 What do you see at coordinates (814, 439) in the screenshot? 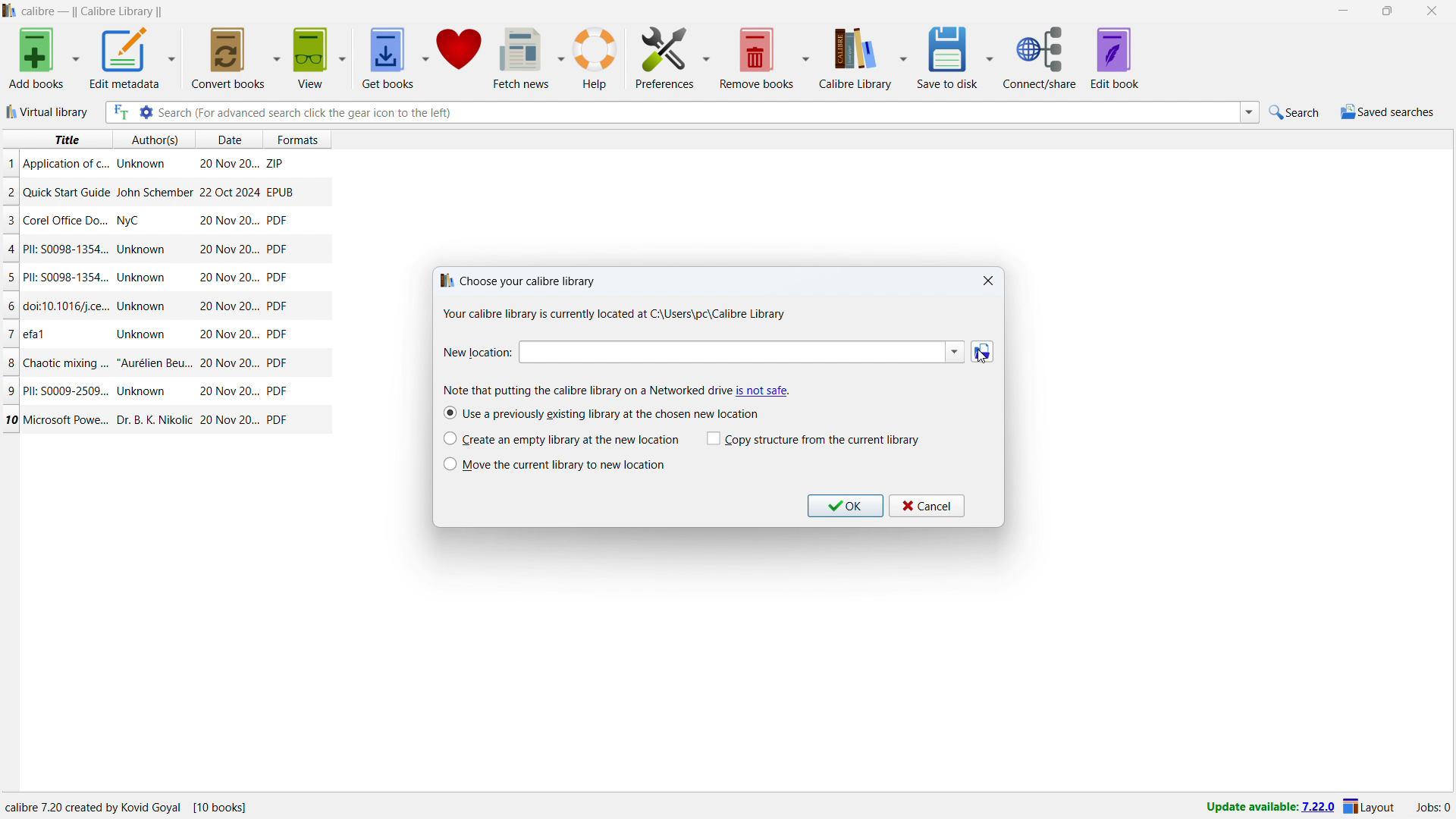
I see `copy structure from the current library` at bounding box center [814, 439].